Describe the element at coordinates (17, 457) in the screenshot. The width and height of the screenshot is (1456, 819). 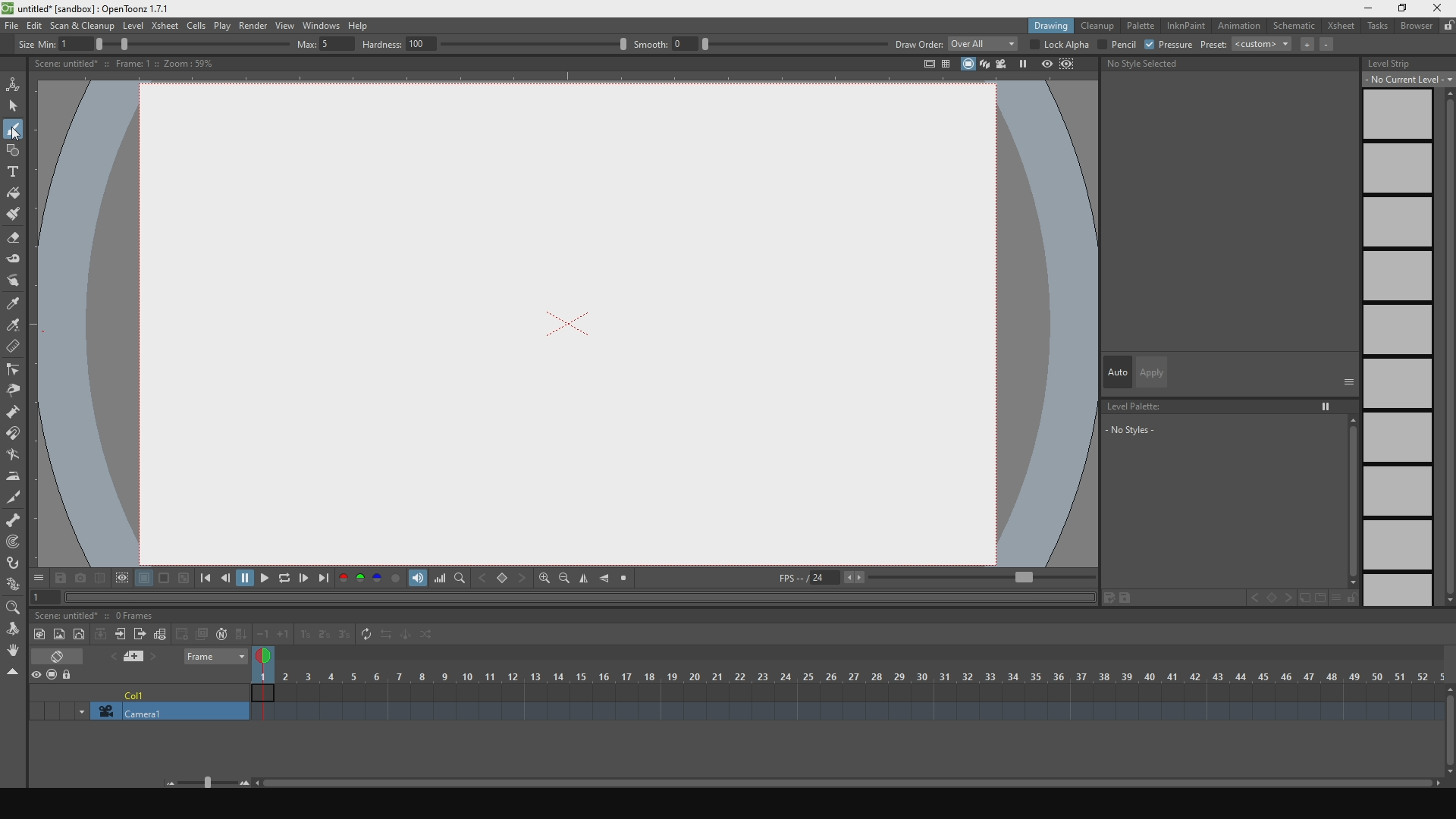
I see `turn` at that location.